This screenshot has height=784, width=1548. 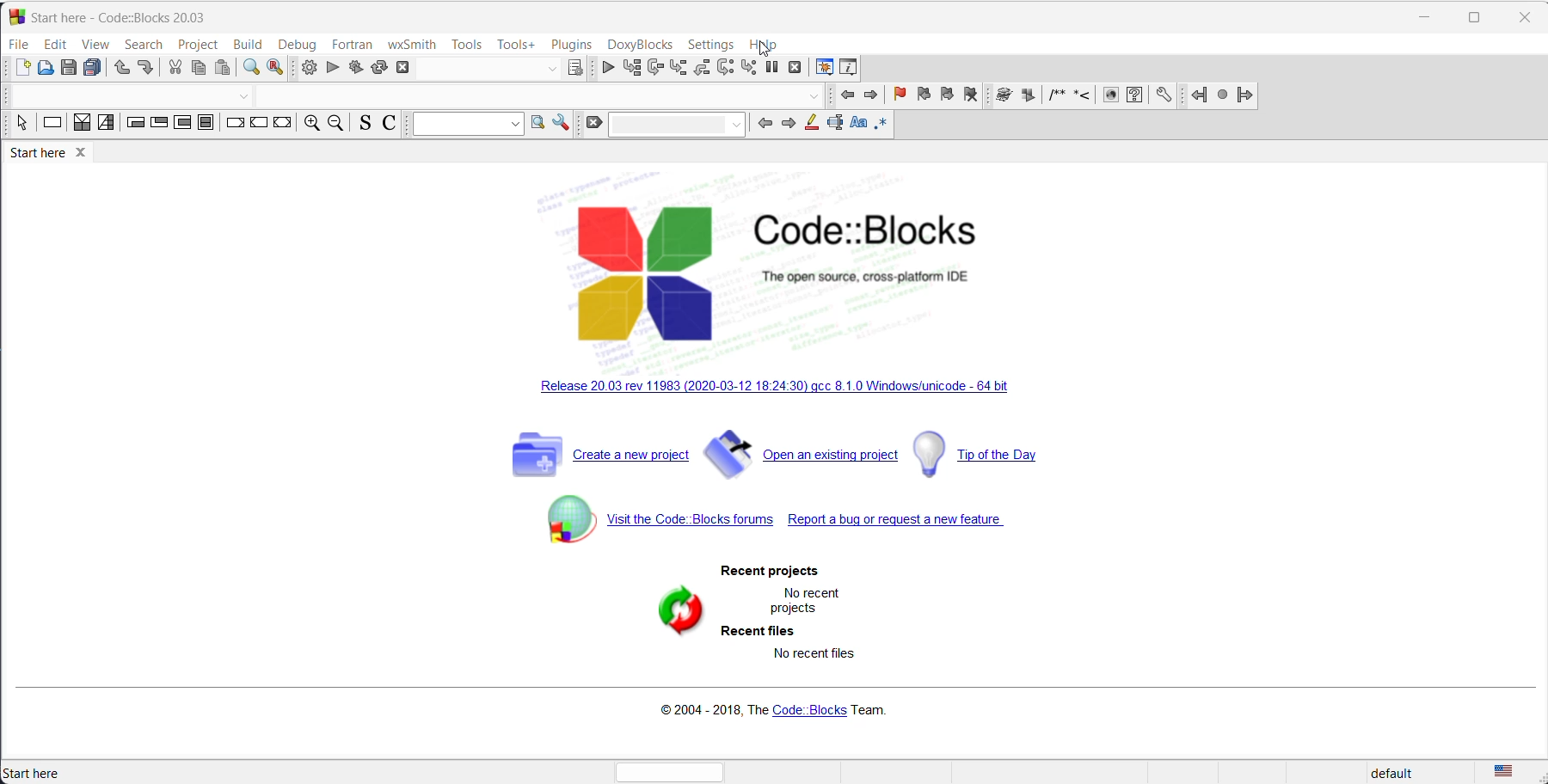 What do you see at coordinates (847, 96) in the screenshot?
I see `go back` at bounding box center [847, 96].